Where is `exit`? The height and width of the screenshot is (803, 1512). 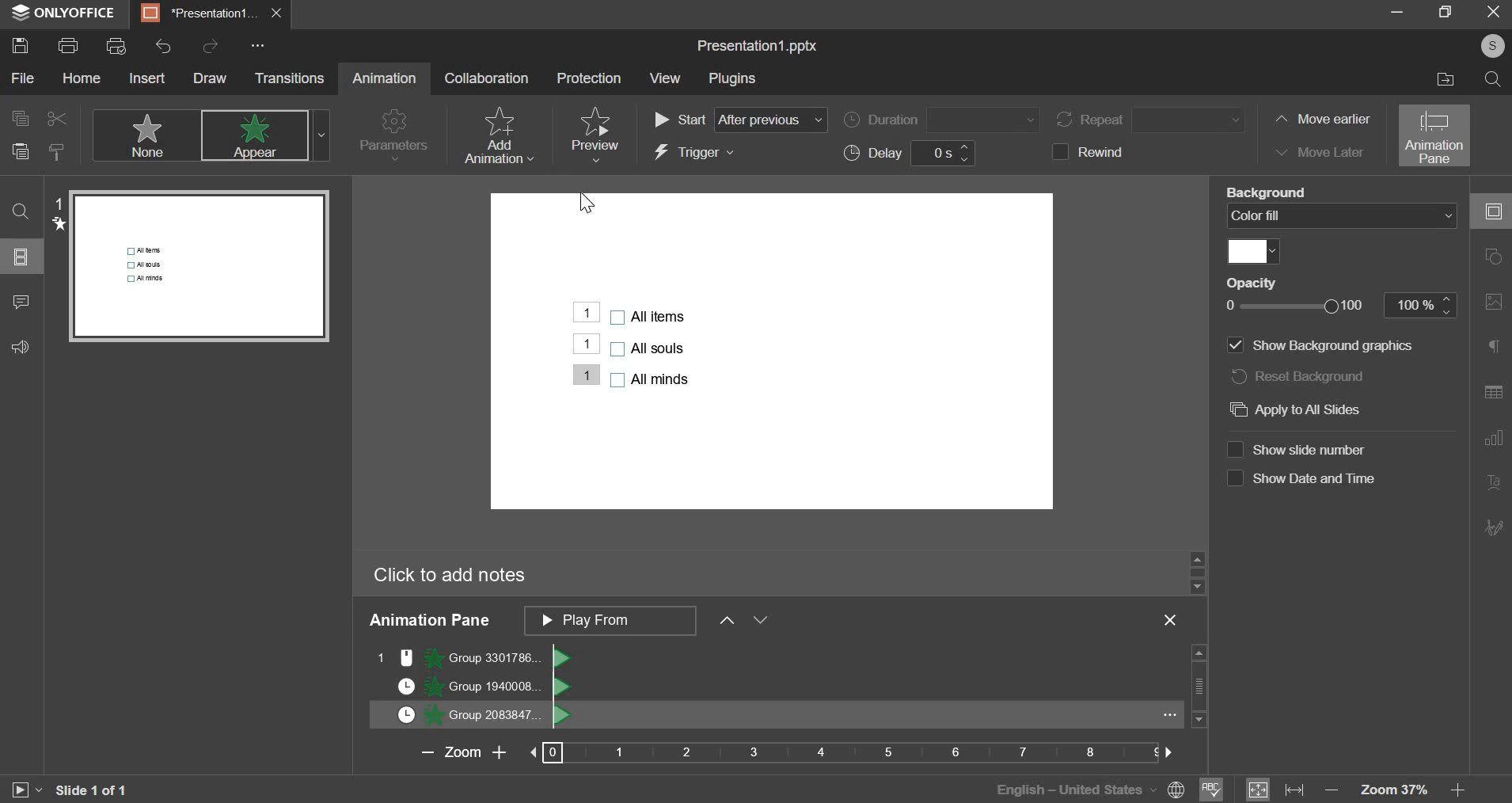
exit is located at coordinates (1487, 15).